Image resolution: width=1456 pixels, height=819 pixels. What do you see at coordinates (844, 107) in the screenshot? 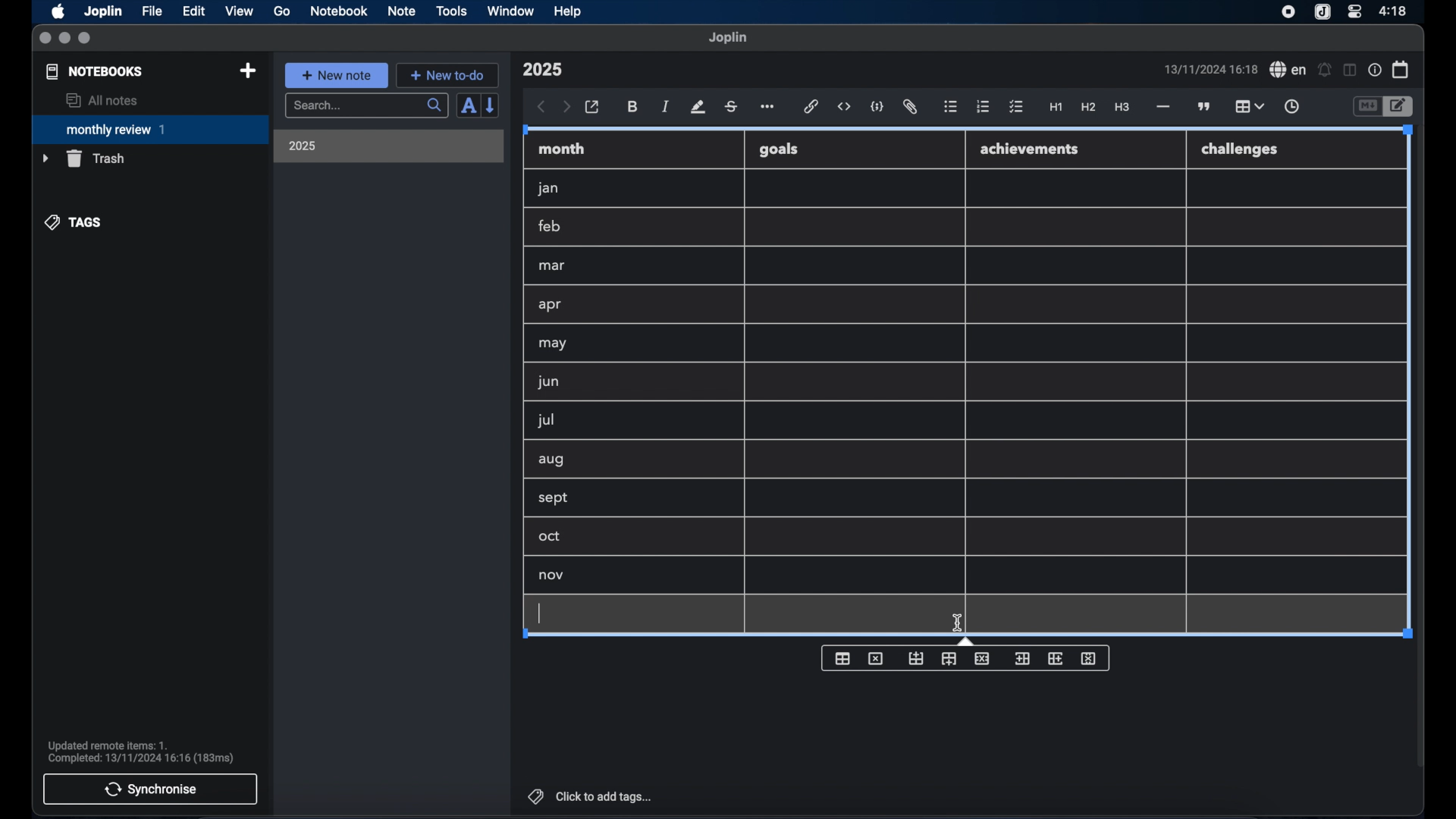
I see `inline code` at bounding box center [844, 107].